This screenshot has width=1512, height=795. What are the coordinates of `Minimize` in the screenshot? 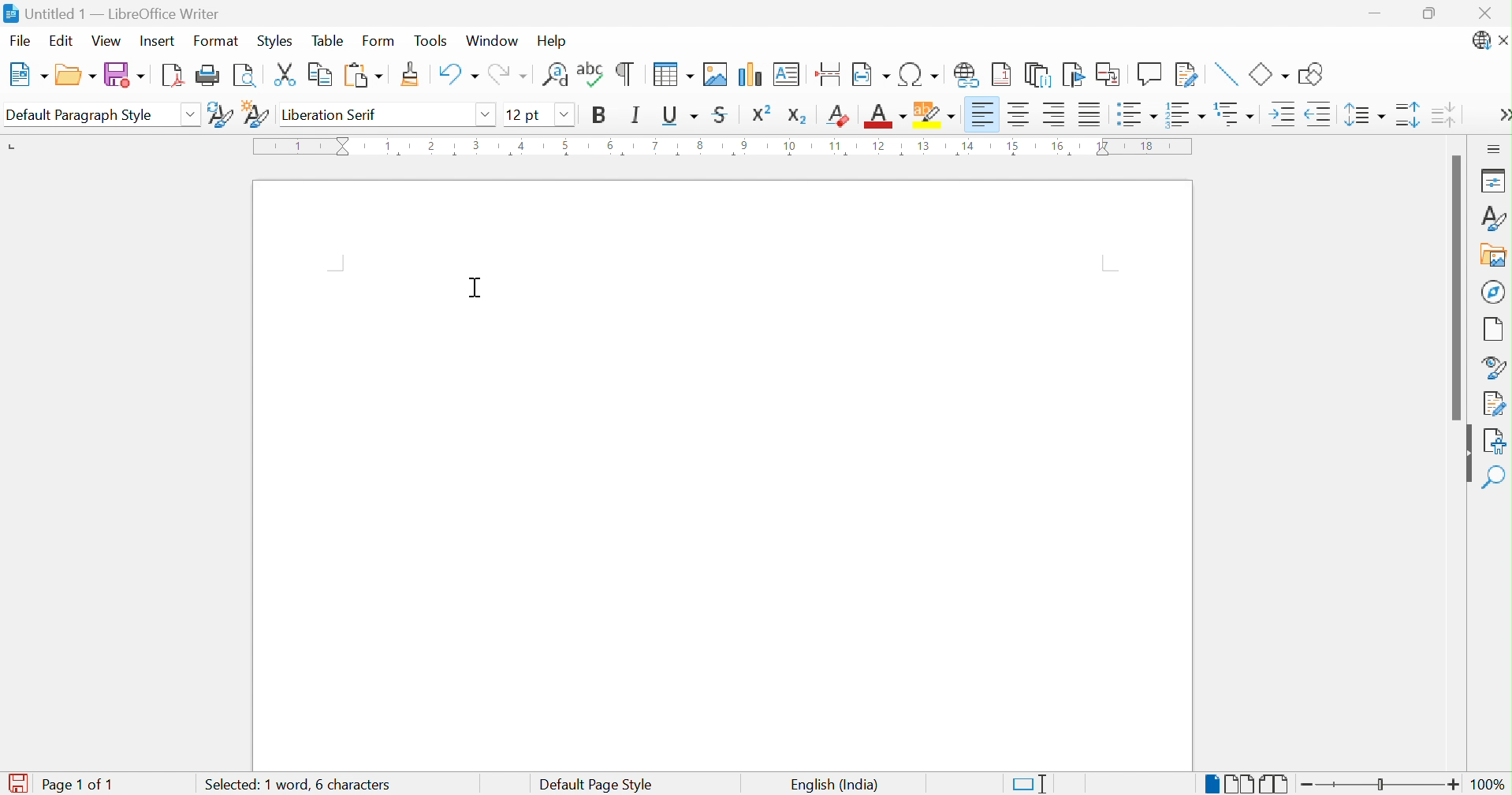 It's located at (1379, 15).